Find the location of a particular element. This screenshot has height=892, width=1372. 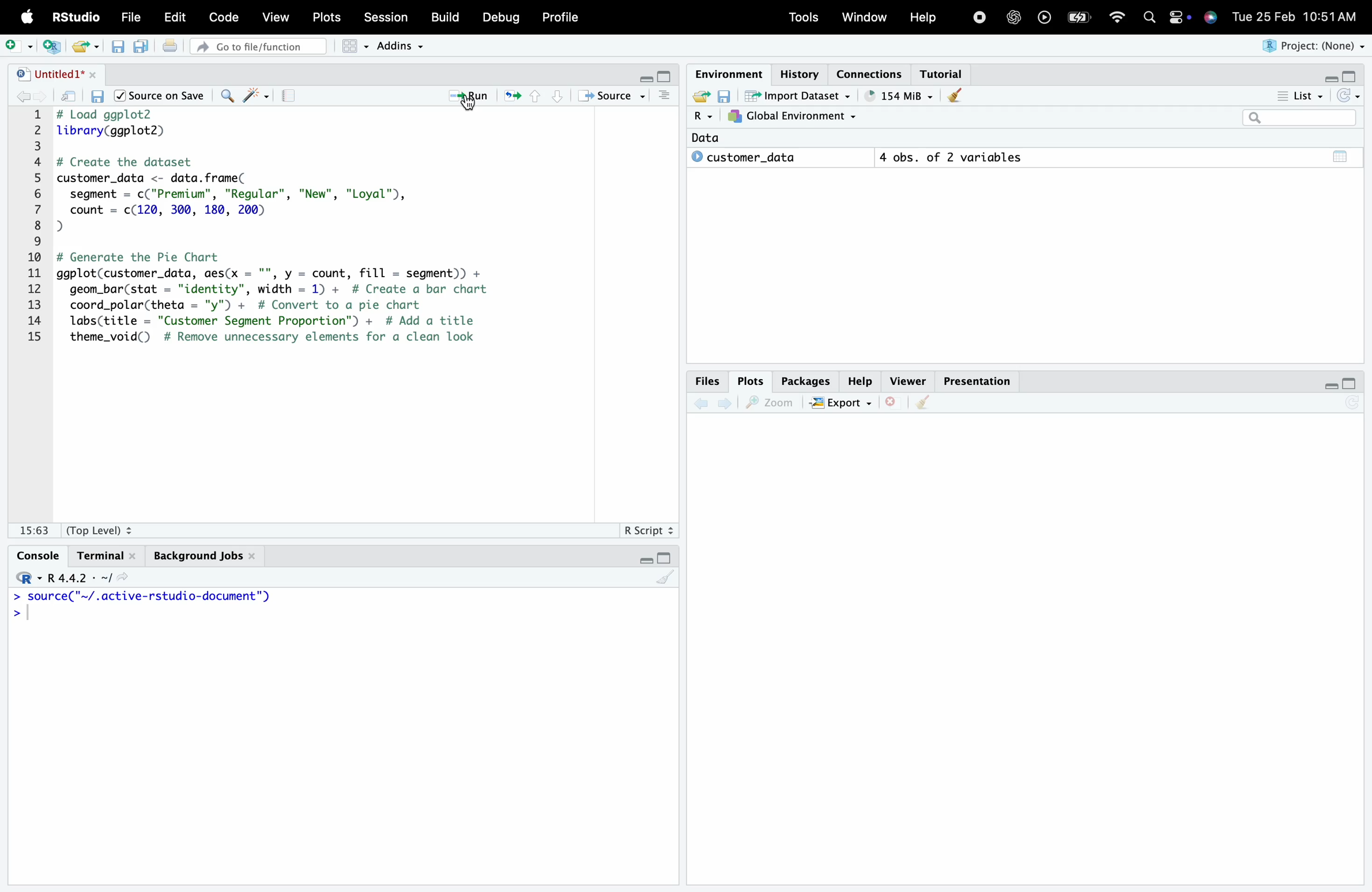

Connections is located at coordinates (872, 73).